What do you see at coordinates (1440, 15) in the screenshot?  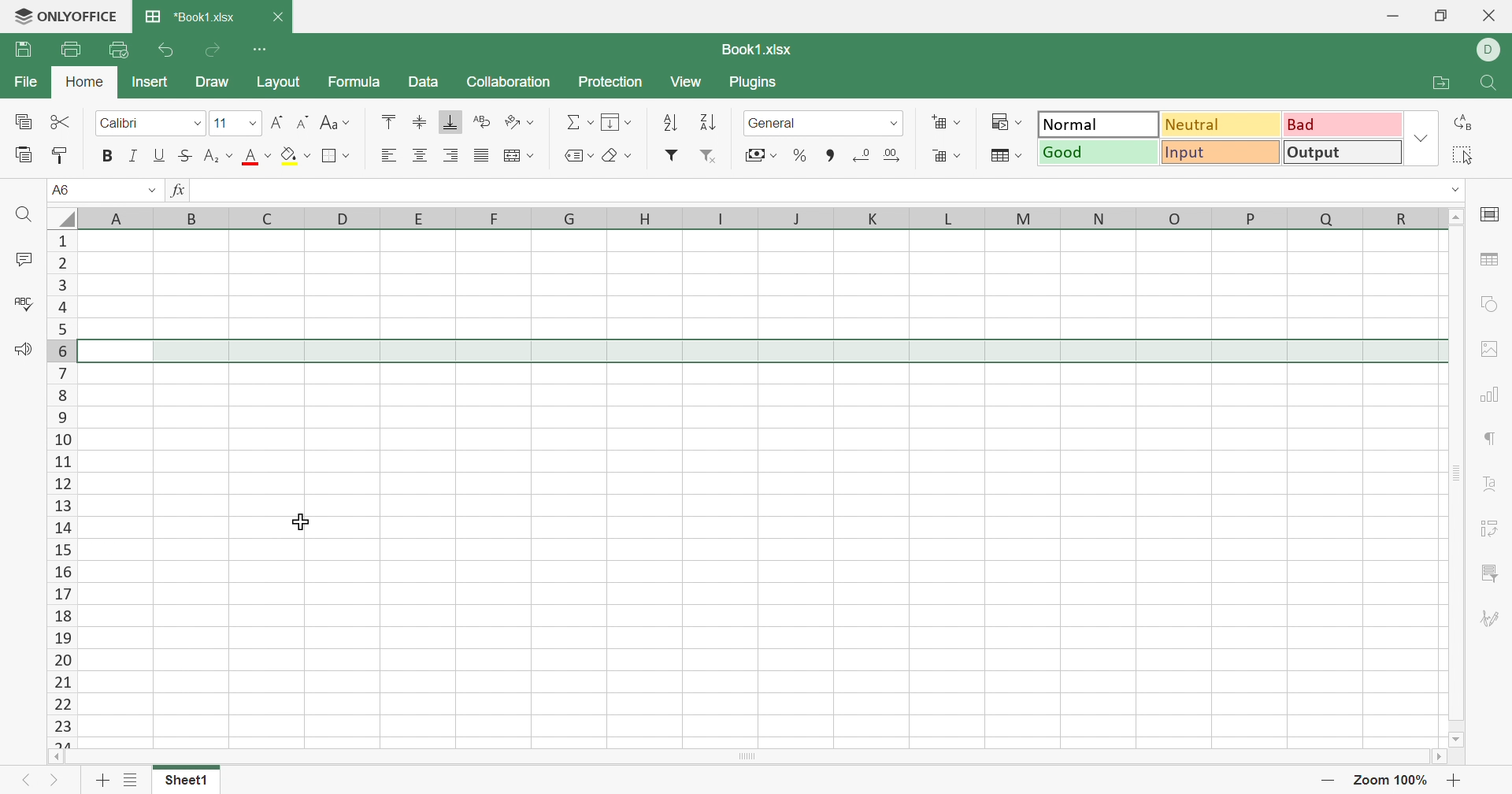 I see `Restore Down` at bounding box center [1440, 15].